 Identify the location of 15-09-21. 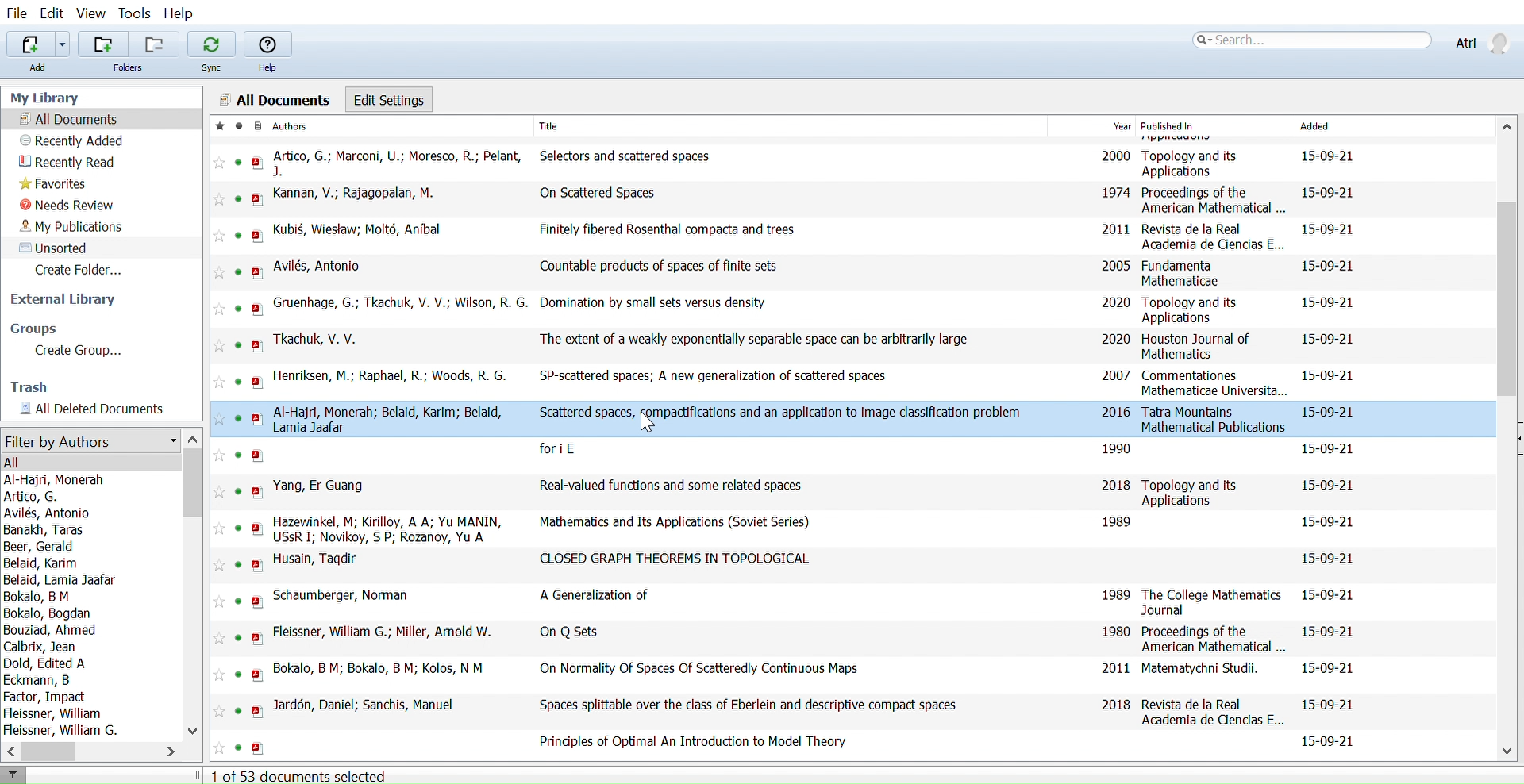
(1327, 232).